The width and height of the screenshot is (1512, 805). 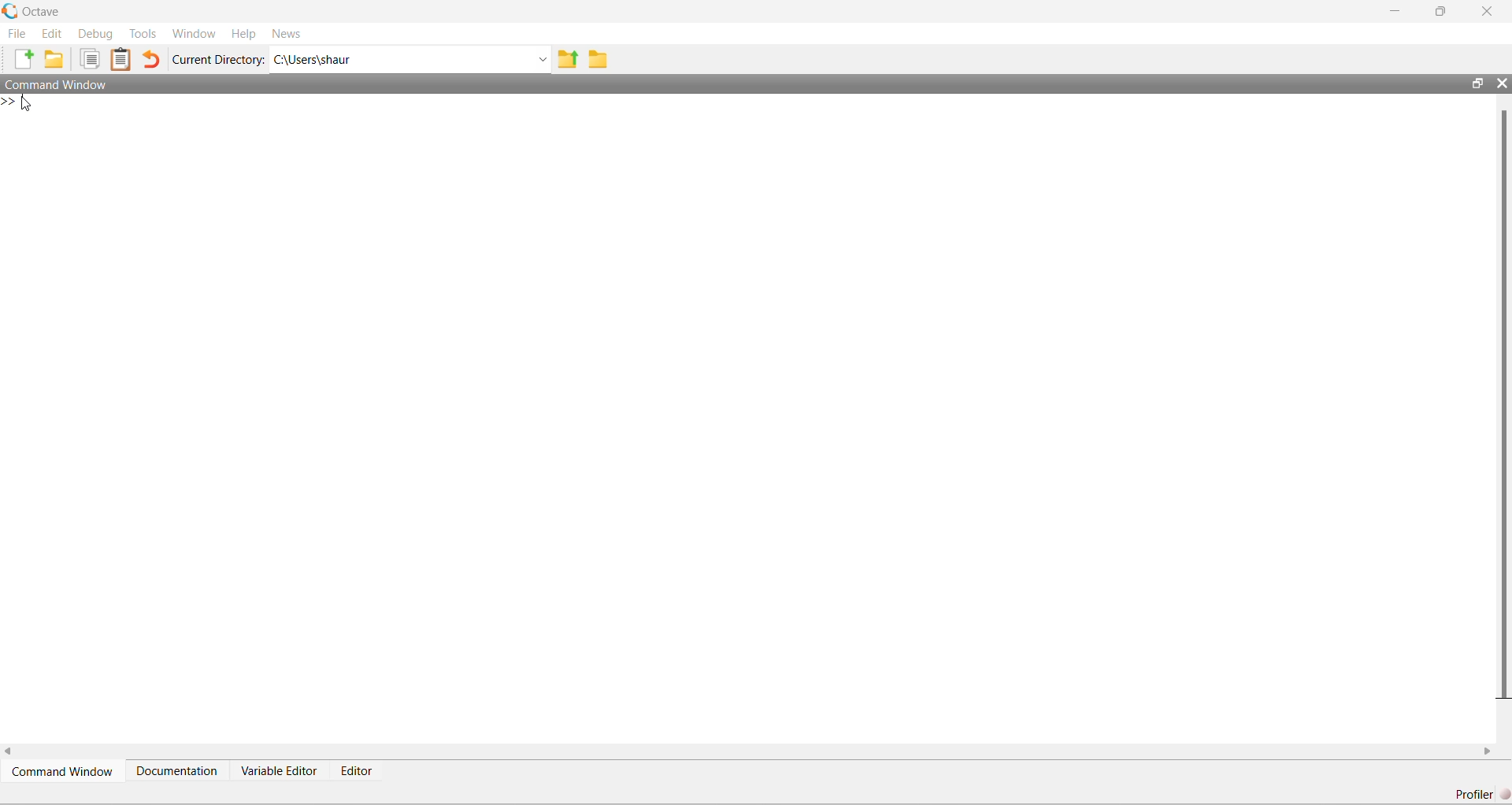 I want to click on Help, so click(x=243, y=34).